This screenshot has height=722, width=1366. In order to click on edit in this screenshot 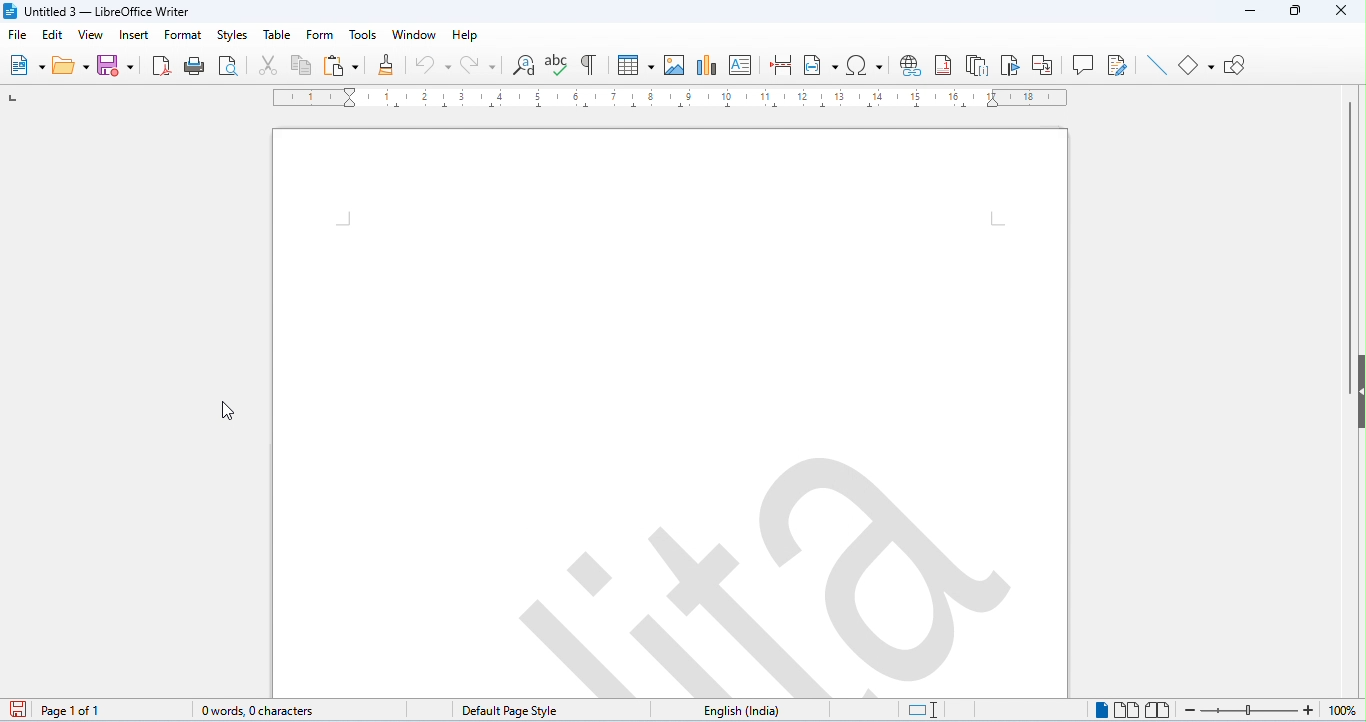, I will do `click(52, 35)`.